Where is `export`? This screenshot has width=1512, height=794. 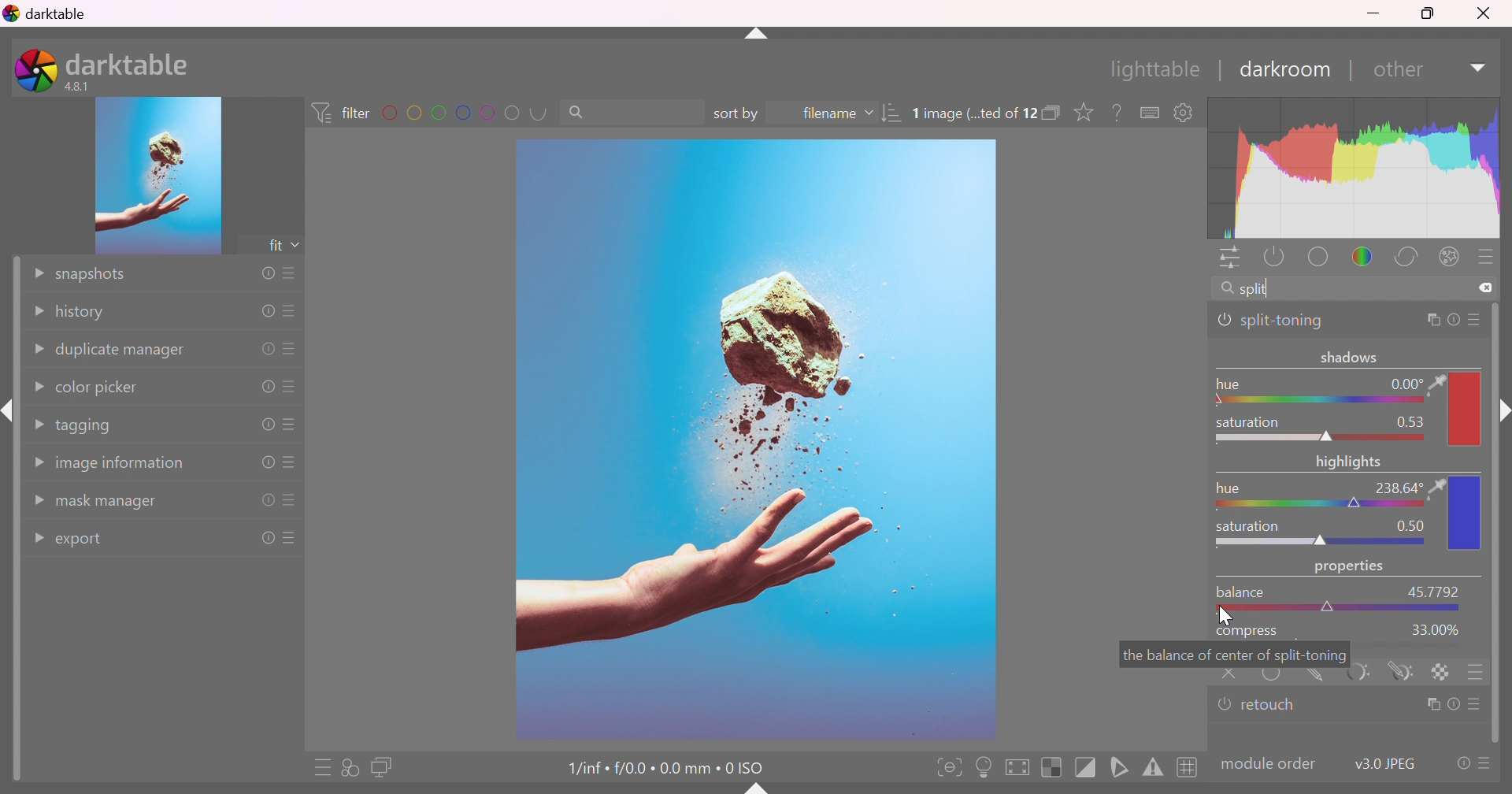 export is located at coordinates (83, 542).